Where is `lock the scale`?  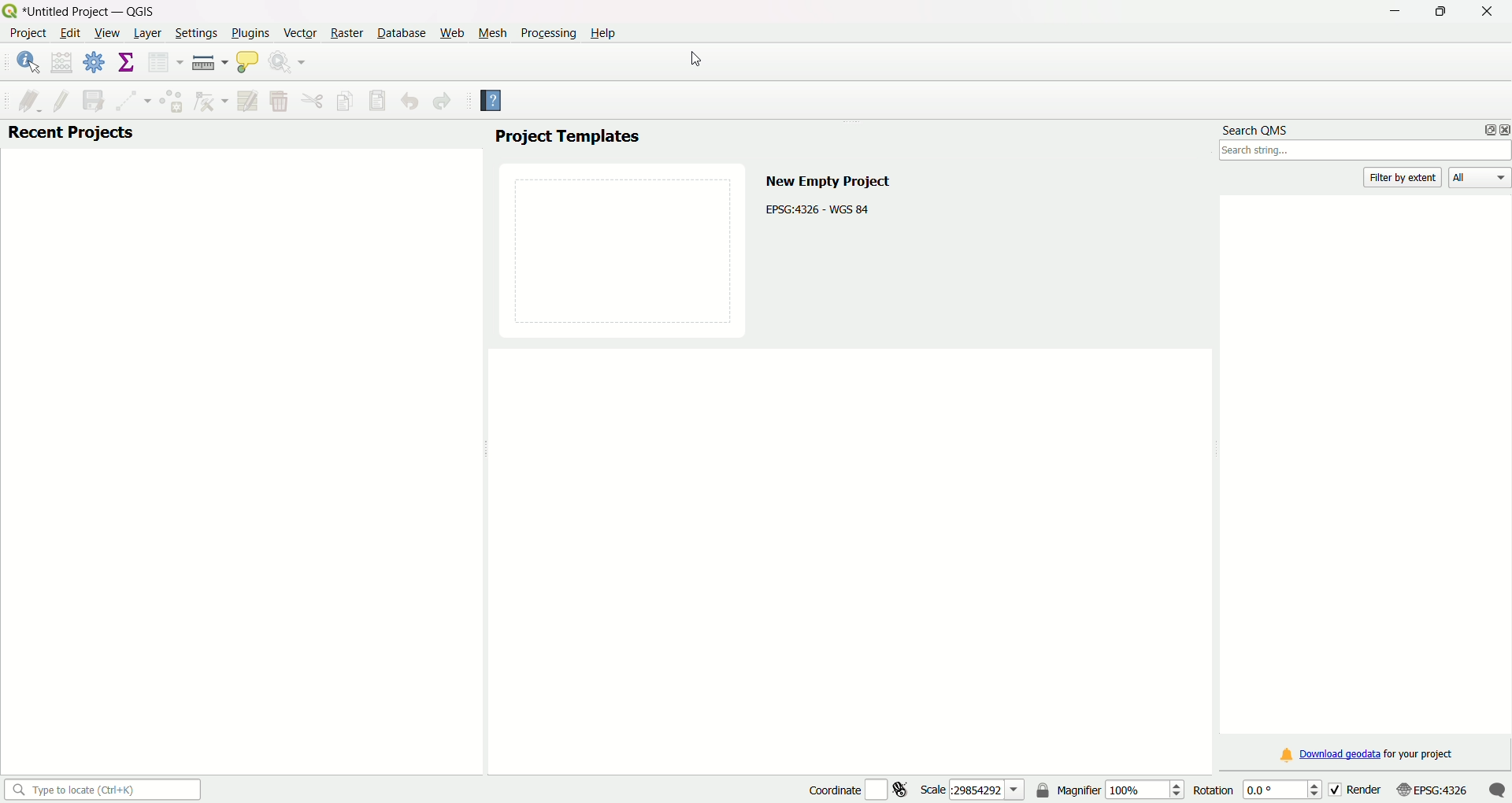
lock the scale is located at coordinates (1043, 791).